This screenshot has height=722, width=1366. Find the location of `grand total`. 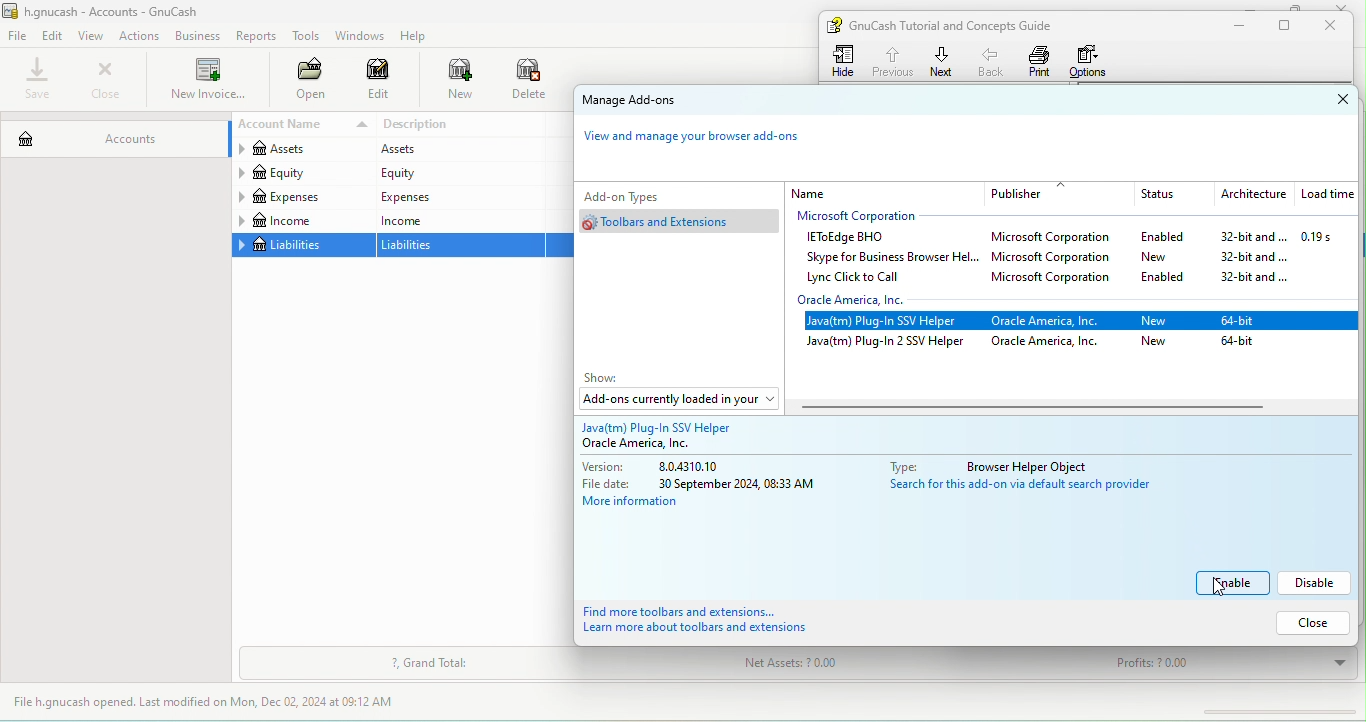

grand total is located at coordinates (430, 664).